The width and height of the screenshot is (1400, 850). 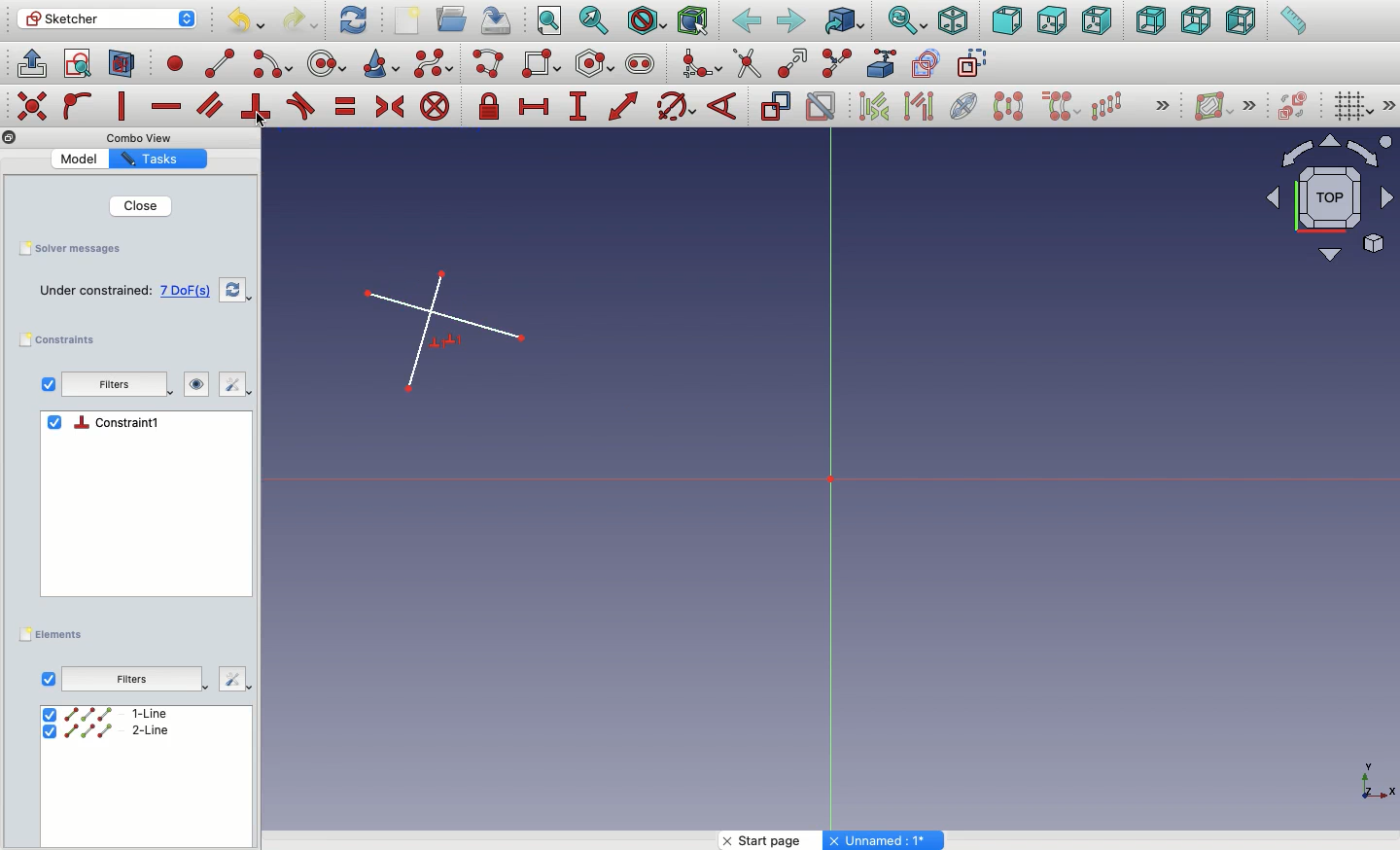 I want to click on Constrain horizontally, so click(x=165, y=108).